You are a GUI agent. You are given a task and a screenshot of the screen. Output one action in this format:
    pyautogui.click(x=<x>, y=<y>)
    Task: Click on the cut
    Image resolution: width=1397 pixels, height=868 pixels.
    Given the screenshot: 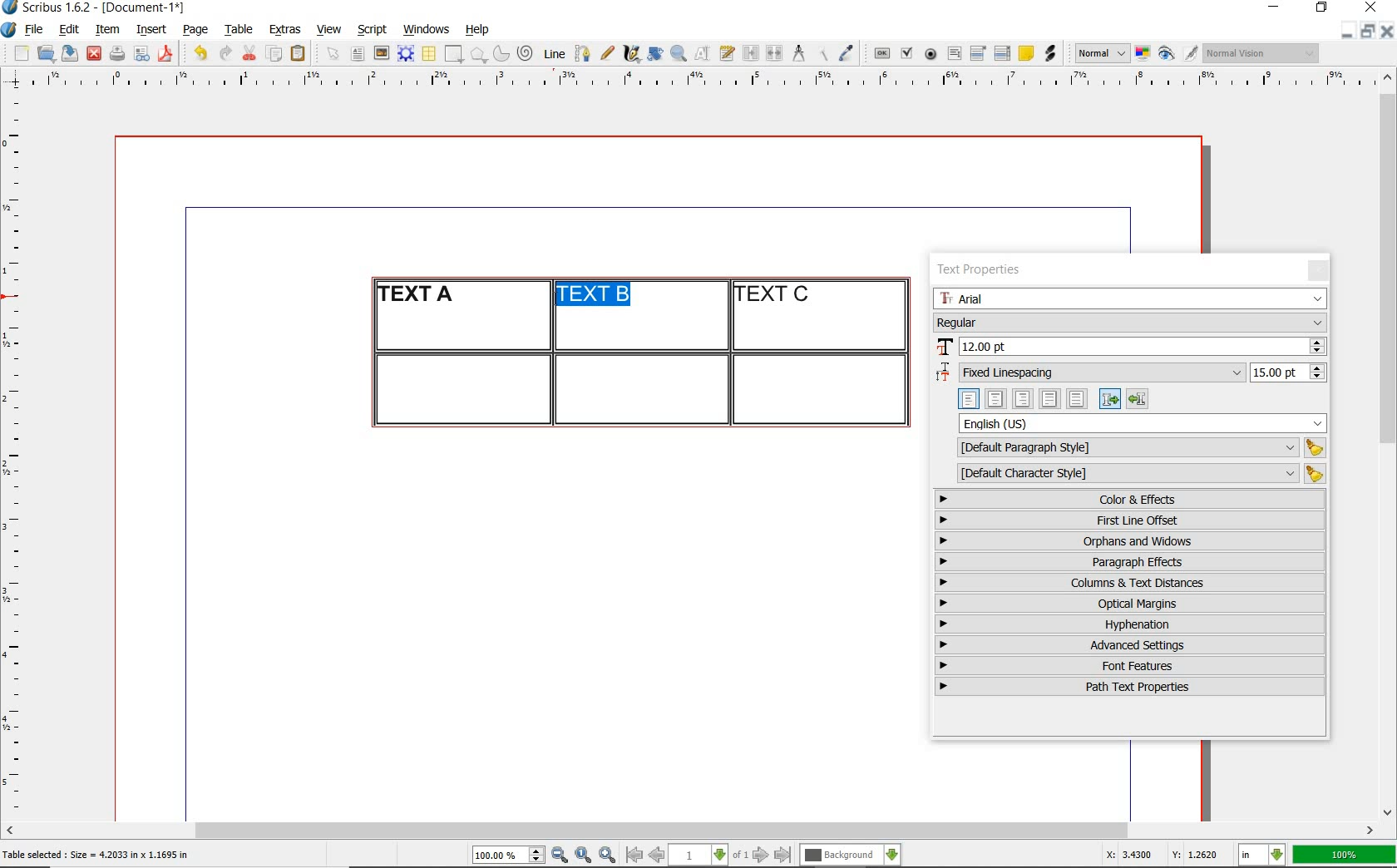 What is the action you would take?
    pyautogui.click(x=249, y=52)
    